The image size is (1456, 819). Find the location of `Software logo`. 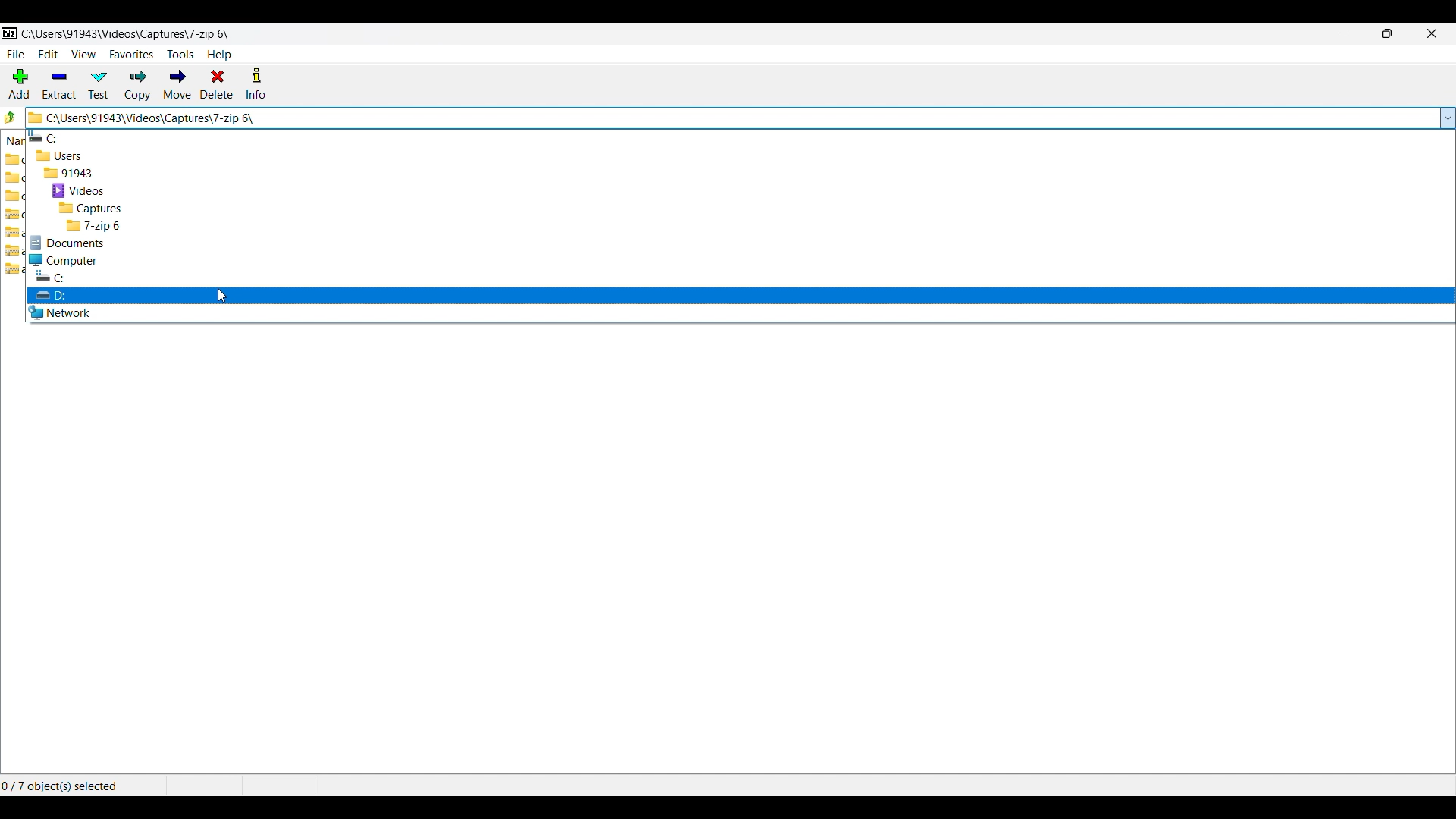

Software logo is located at coordinates (10, 33).